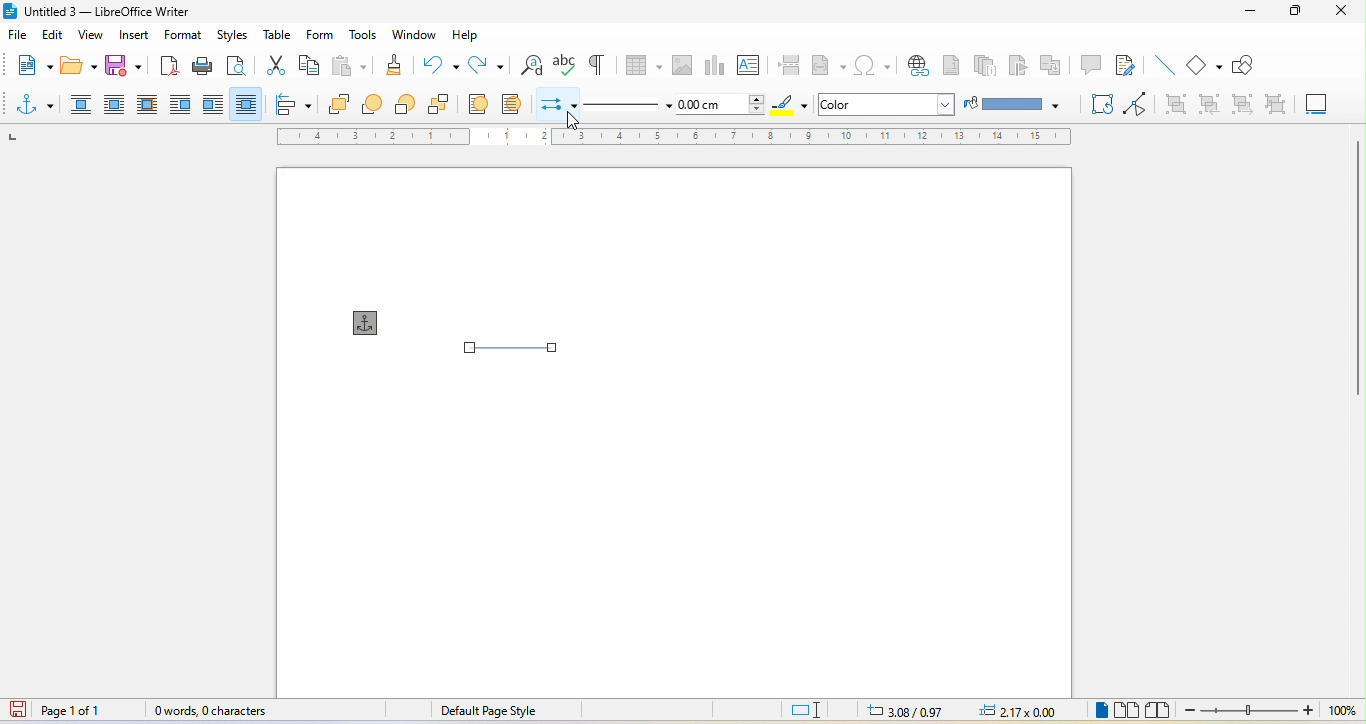 The image size is (1366, 724). I want to click on print preview, so click(236, 66).